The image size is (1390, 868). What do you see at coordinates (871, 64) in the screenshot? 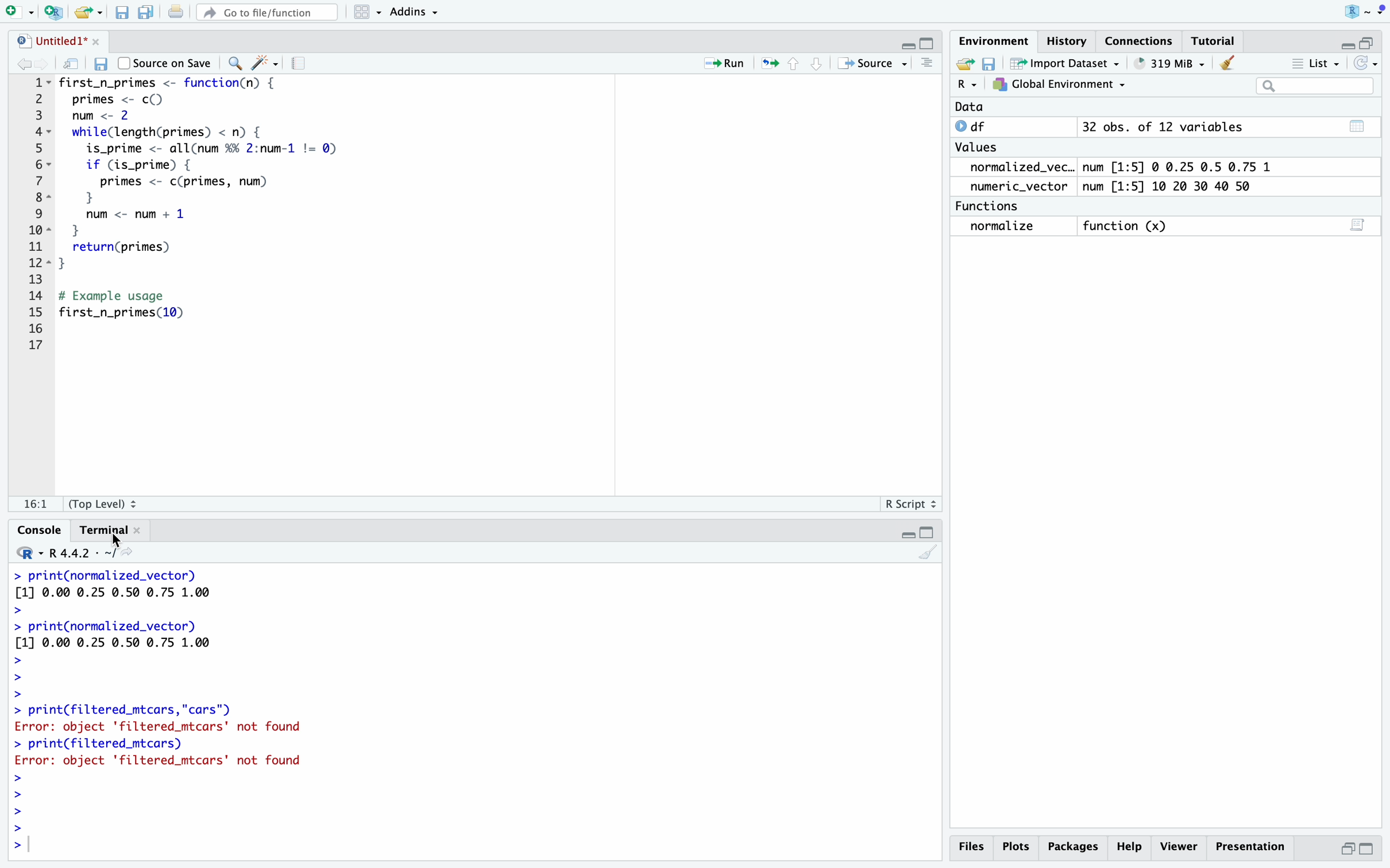
I see `+» Source -` at bounding box center [871, 64].